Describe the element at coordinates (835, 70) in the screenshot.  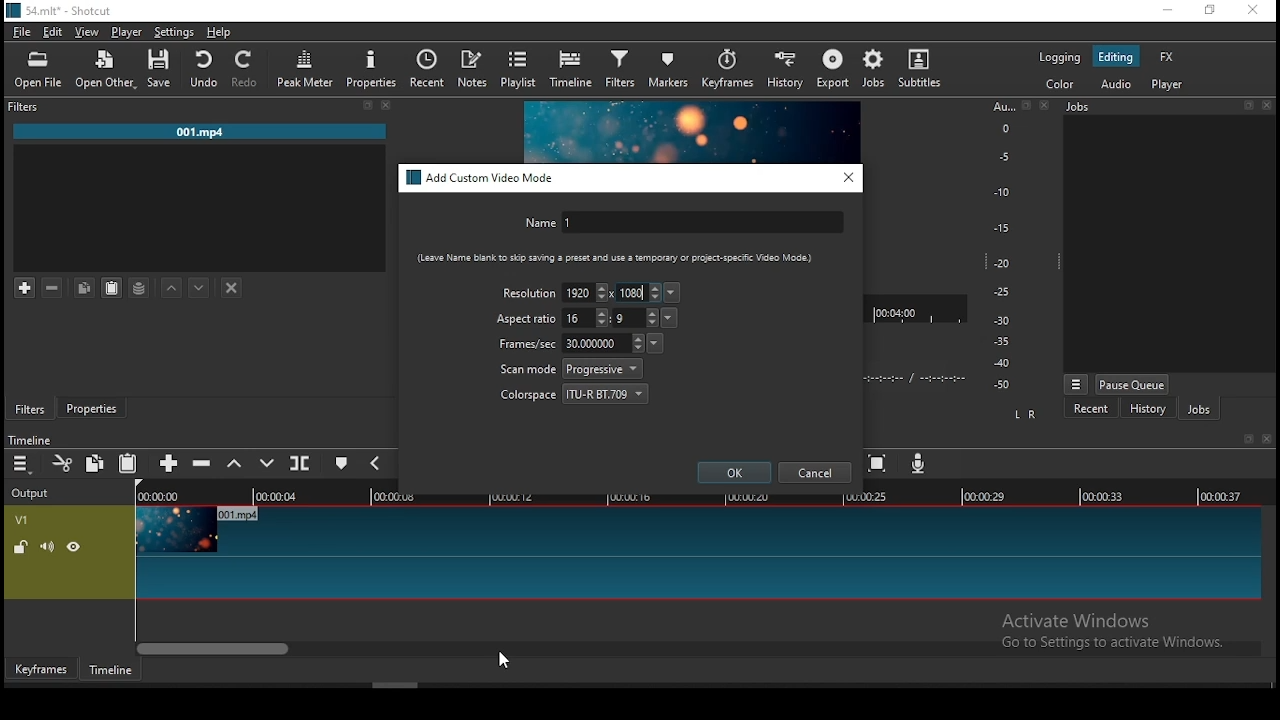
I see `export` at that location.